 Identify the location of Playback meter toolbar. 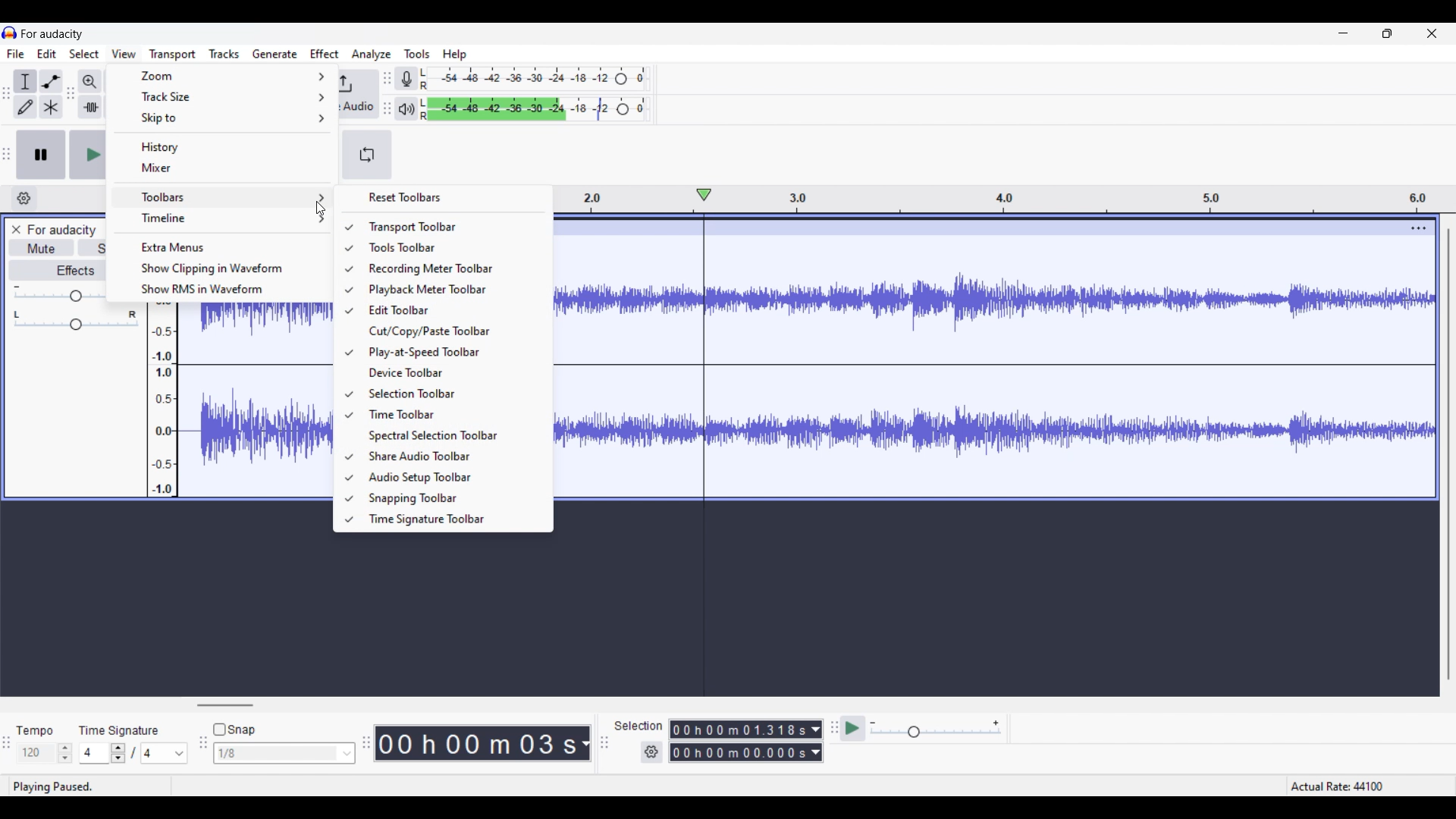
(449, 290).